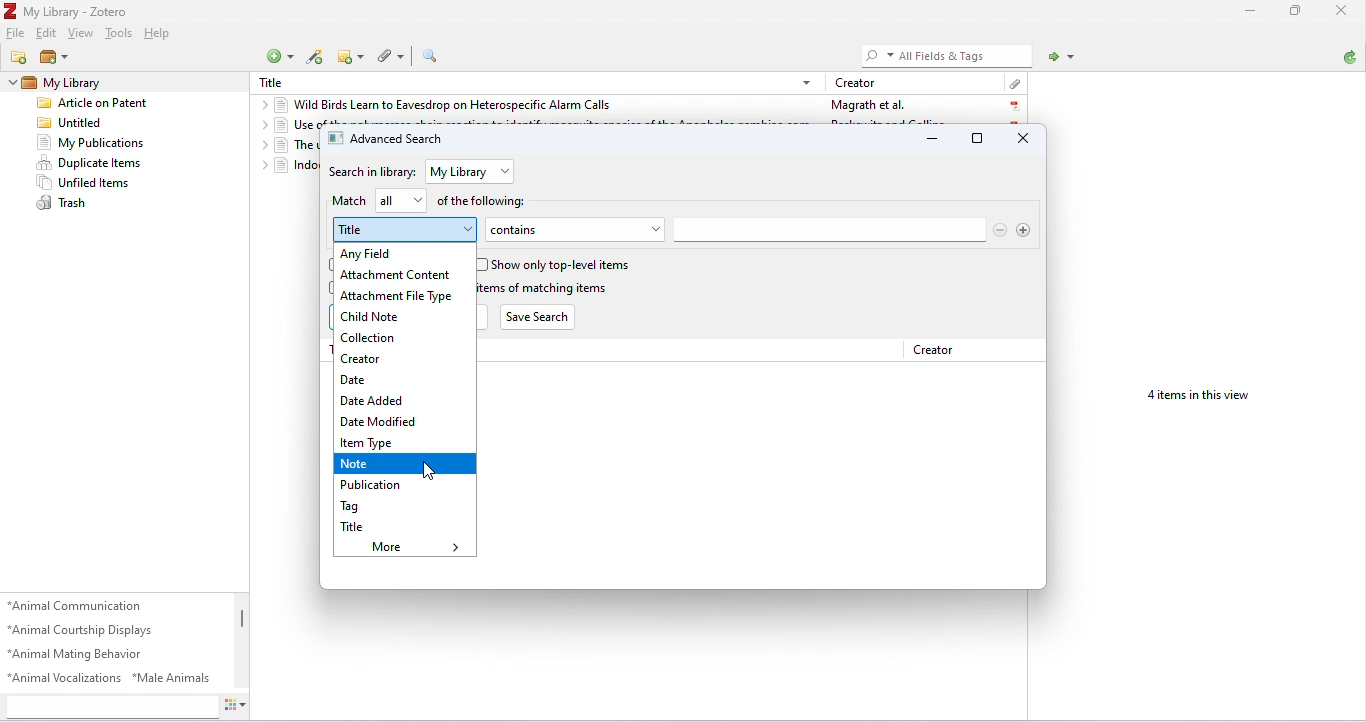  Describe the element at coordinates (159, 34) in the screenshot. I see `help` at that location.